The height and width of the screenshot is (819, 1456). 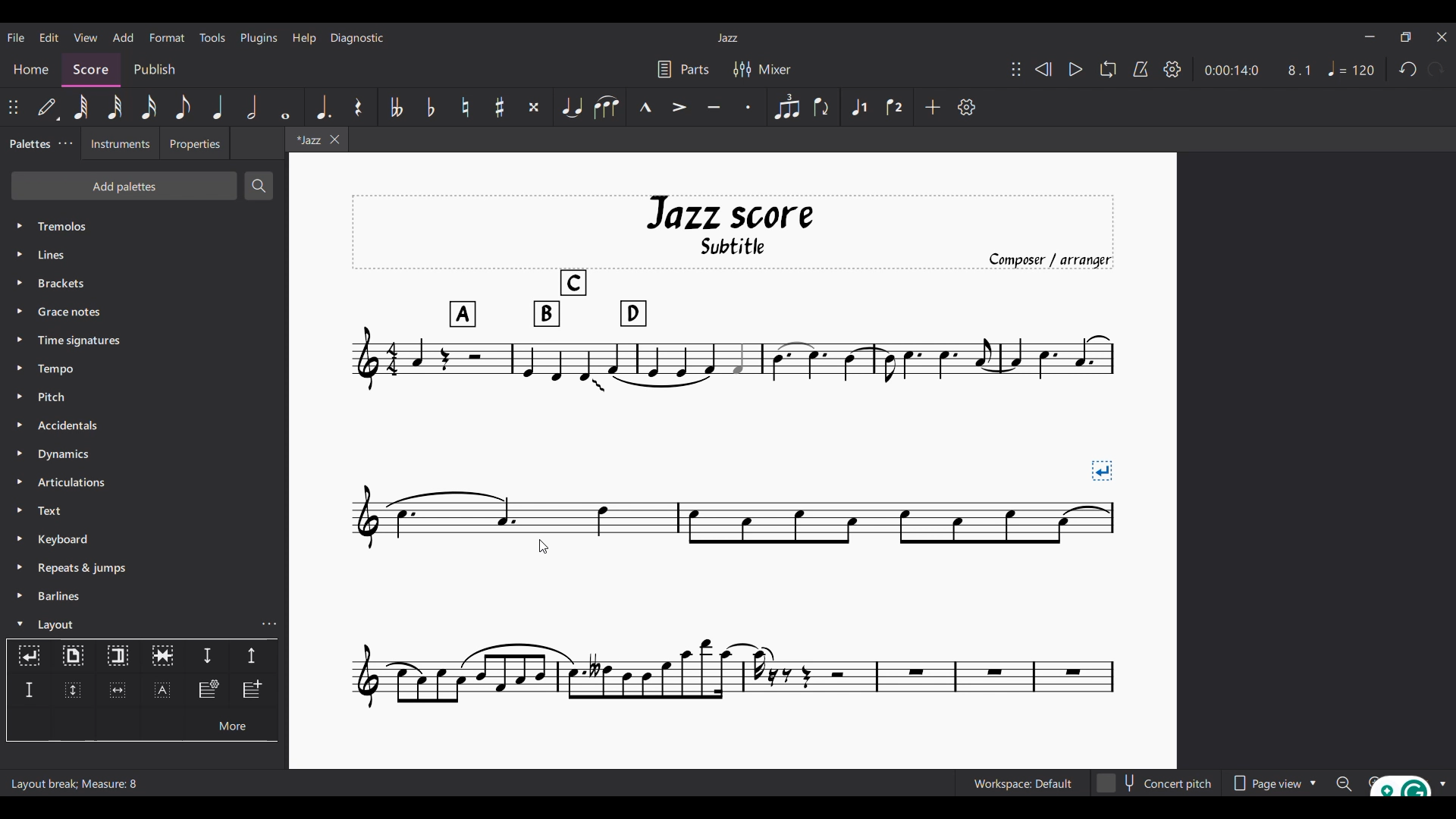 What do you see at coordinates (252, 107) in the screenshot?
I see `Half note` at bounding box center [252, 107].